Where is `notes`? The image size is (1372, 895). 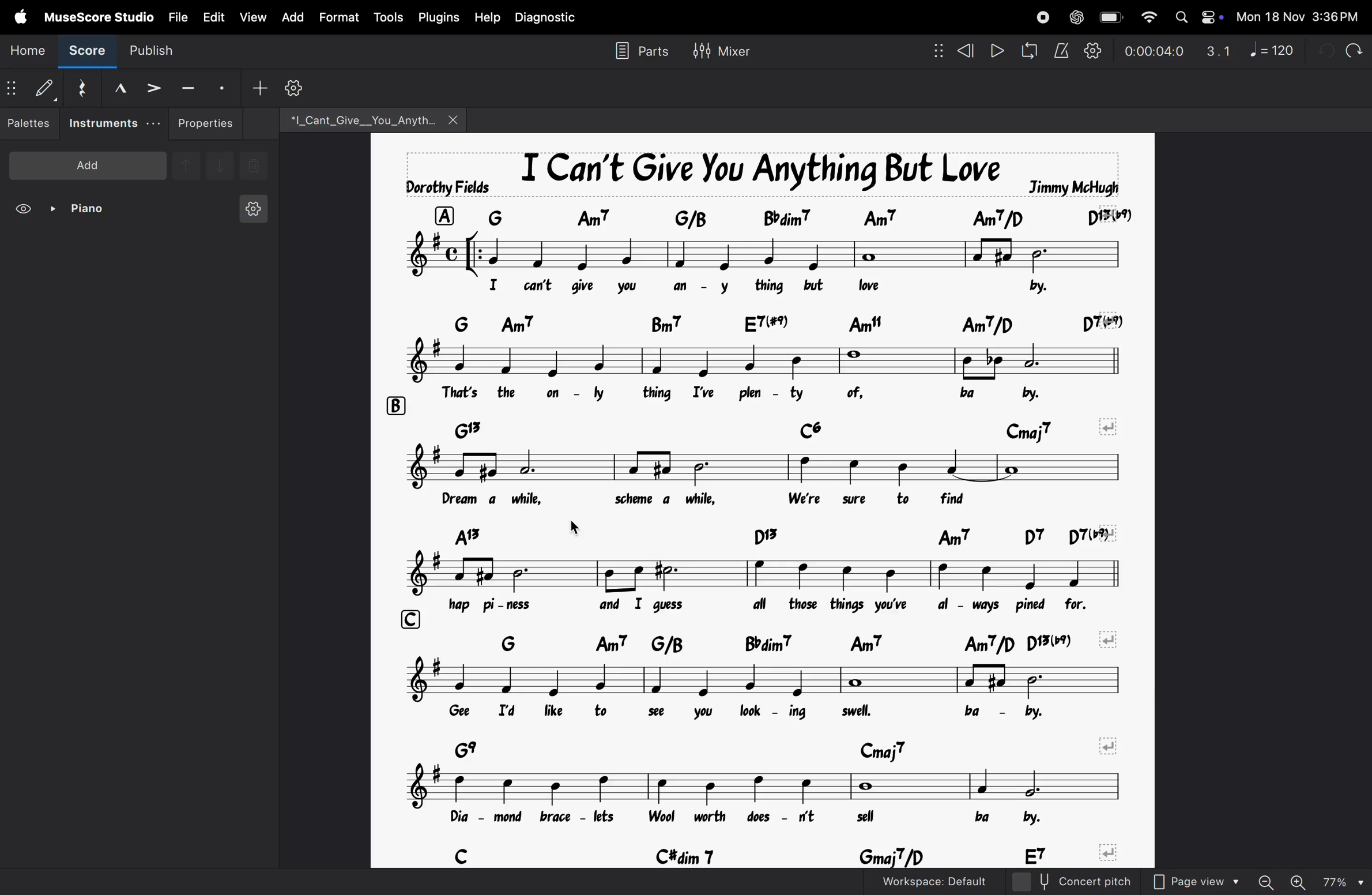
notes is located at coordinates (768, 363).